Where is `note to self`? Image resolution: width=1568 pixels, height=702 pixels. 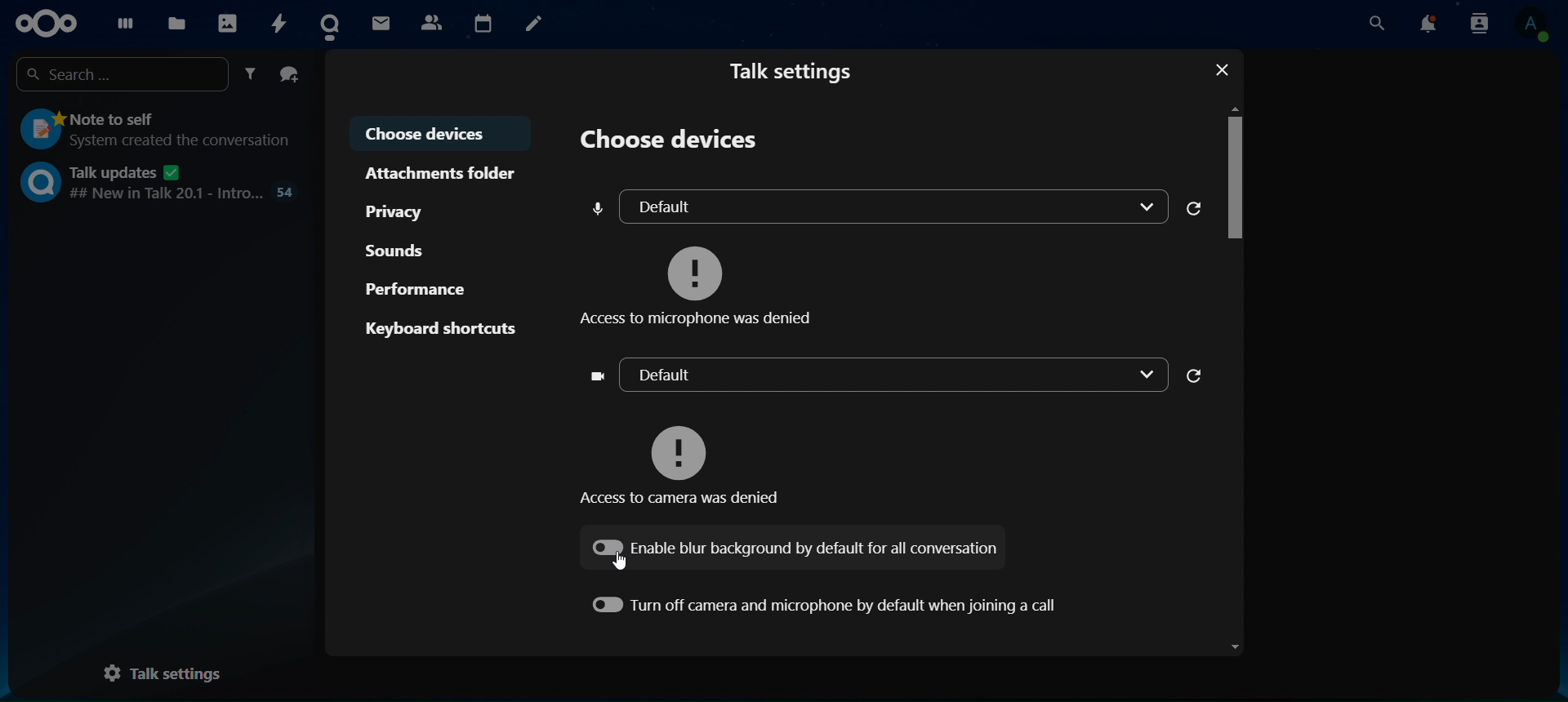
note to self is located at coordinates (157, 131).